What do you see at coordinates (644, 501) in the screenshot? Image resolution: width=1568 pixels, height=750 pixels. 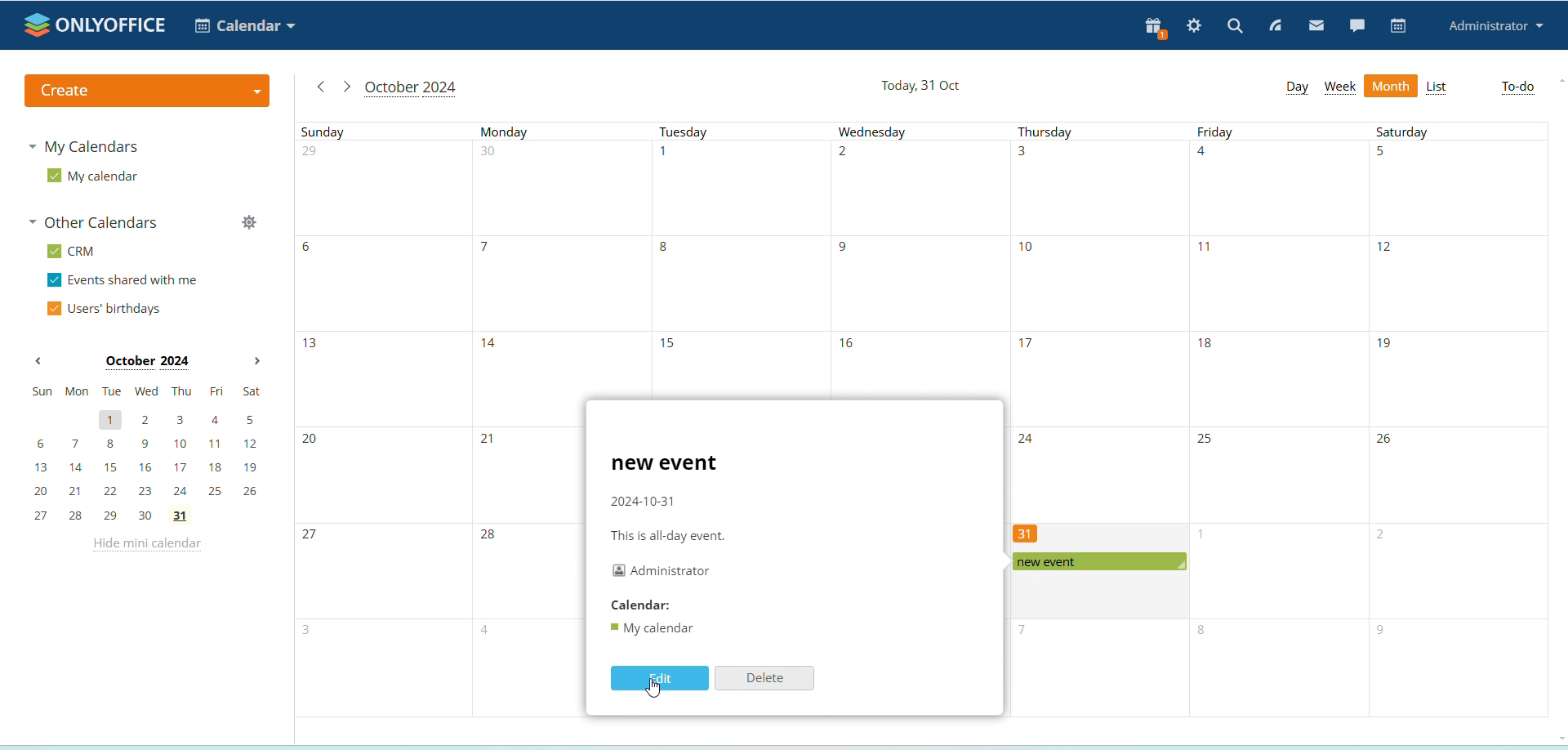 I see `event date` at bounding box center [644, 501].